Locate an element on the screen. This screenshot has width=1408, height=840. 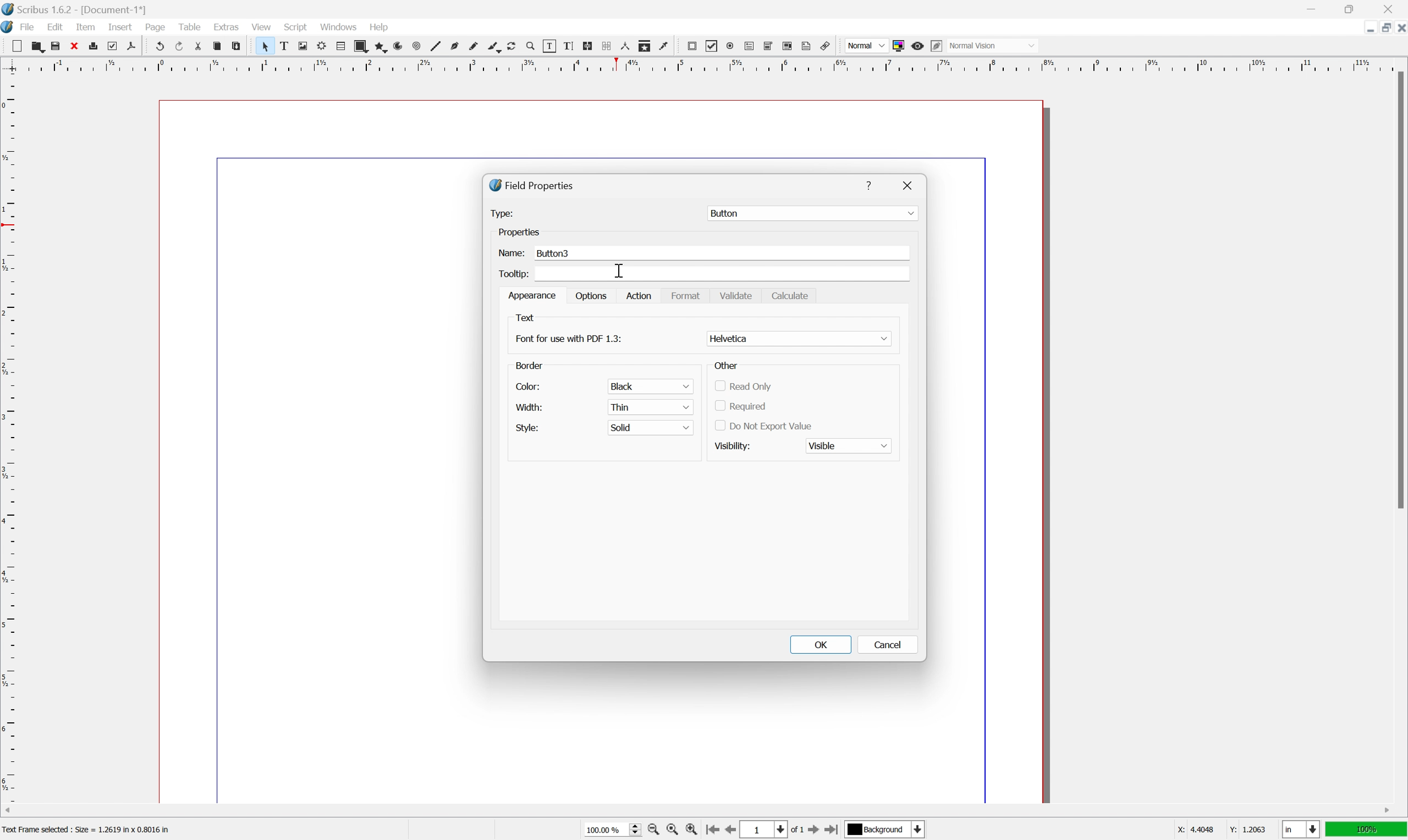
close is located at coordinates (1399, 28).